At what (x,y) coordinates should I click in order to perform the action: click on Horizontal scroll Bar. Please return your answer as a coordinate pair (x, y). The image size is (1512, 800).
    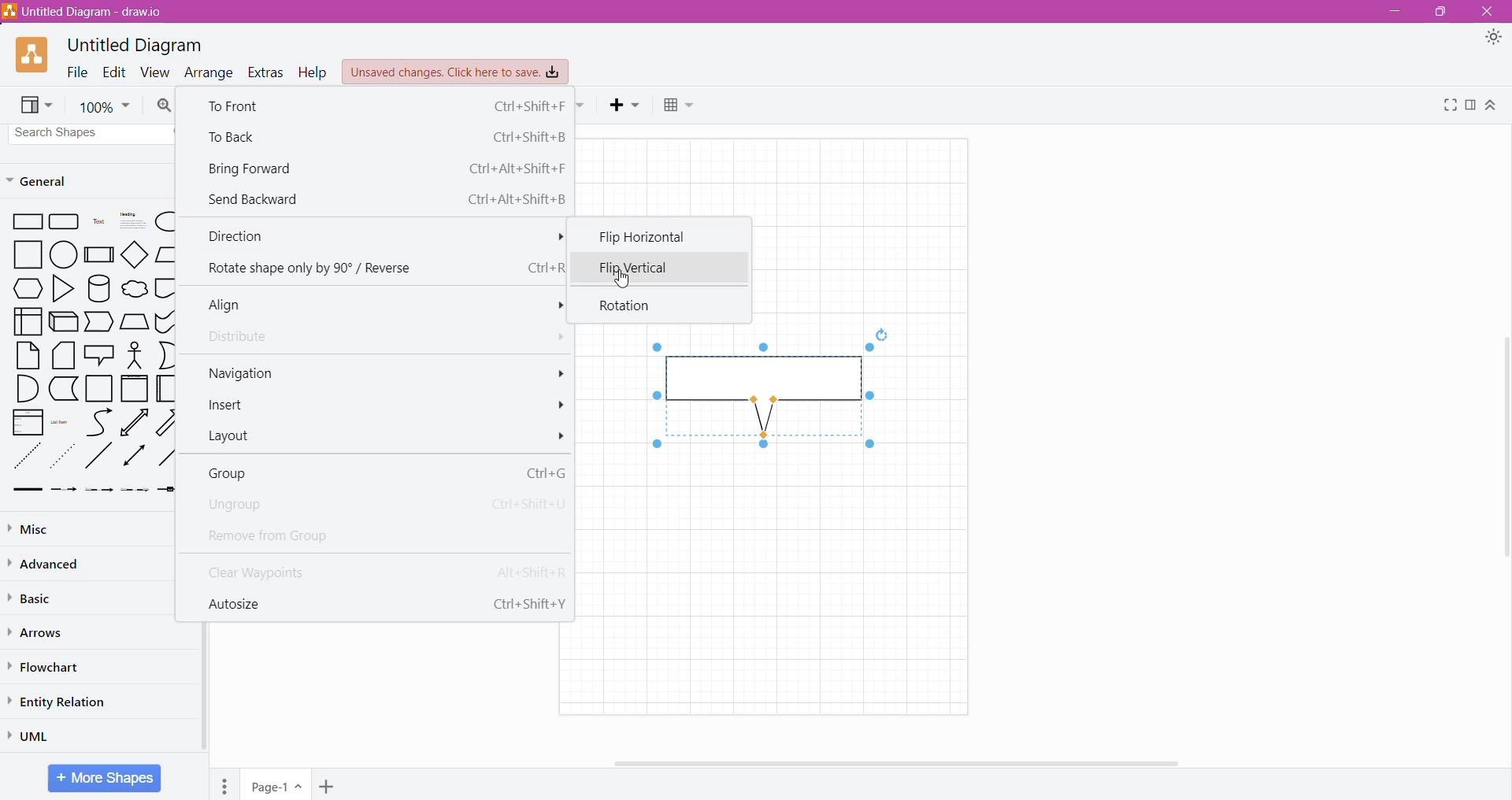
    Looking at the image, I should click on (913, 763).